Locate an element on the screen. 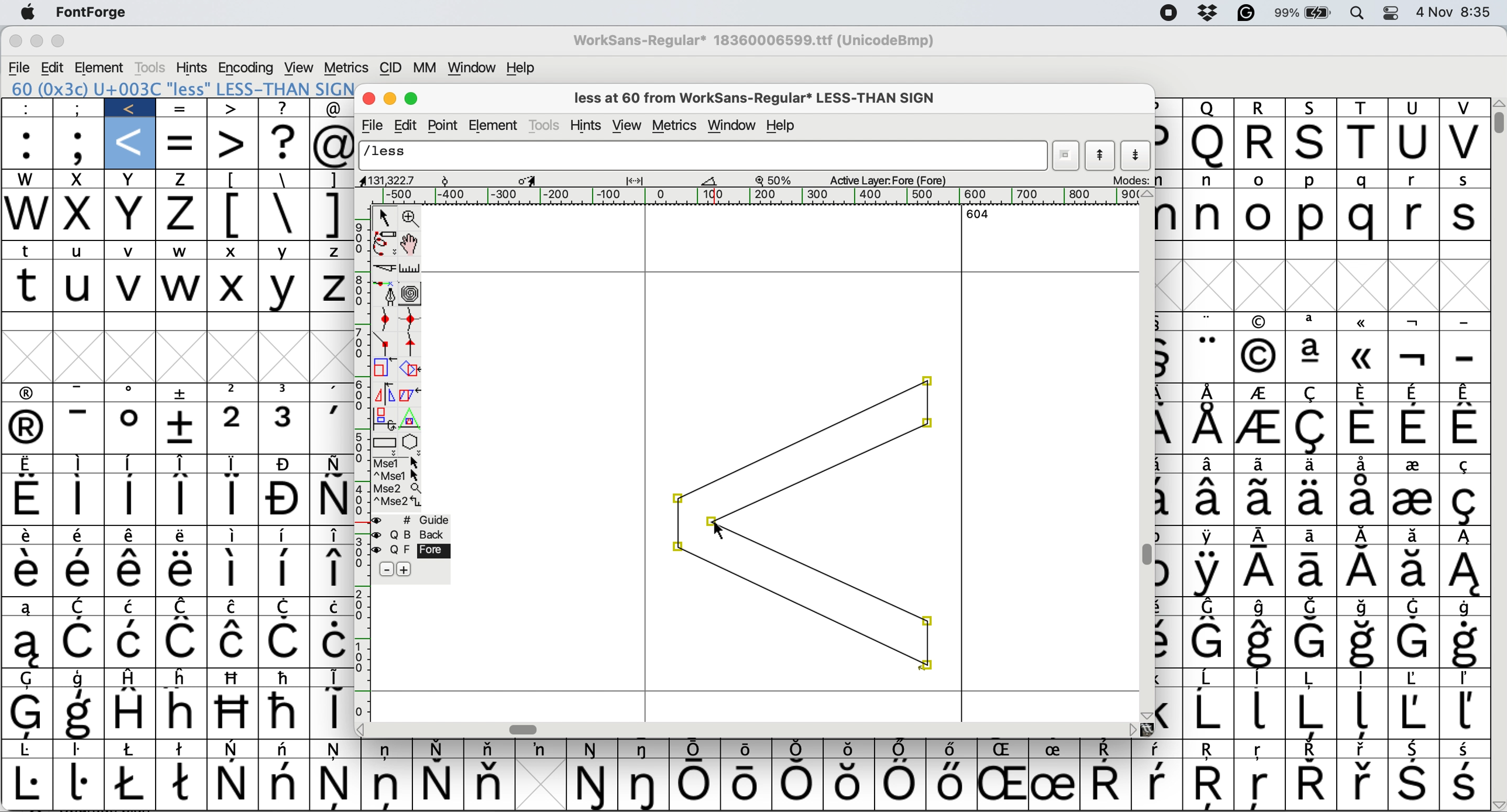 This screenshot has width=1507, height=812. Symbol is located at coordinates (1413, 749).